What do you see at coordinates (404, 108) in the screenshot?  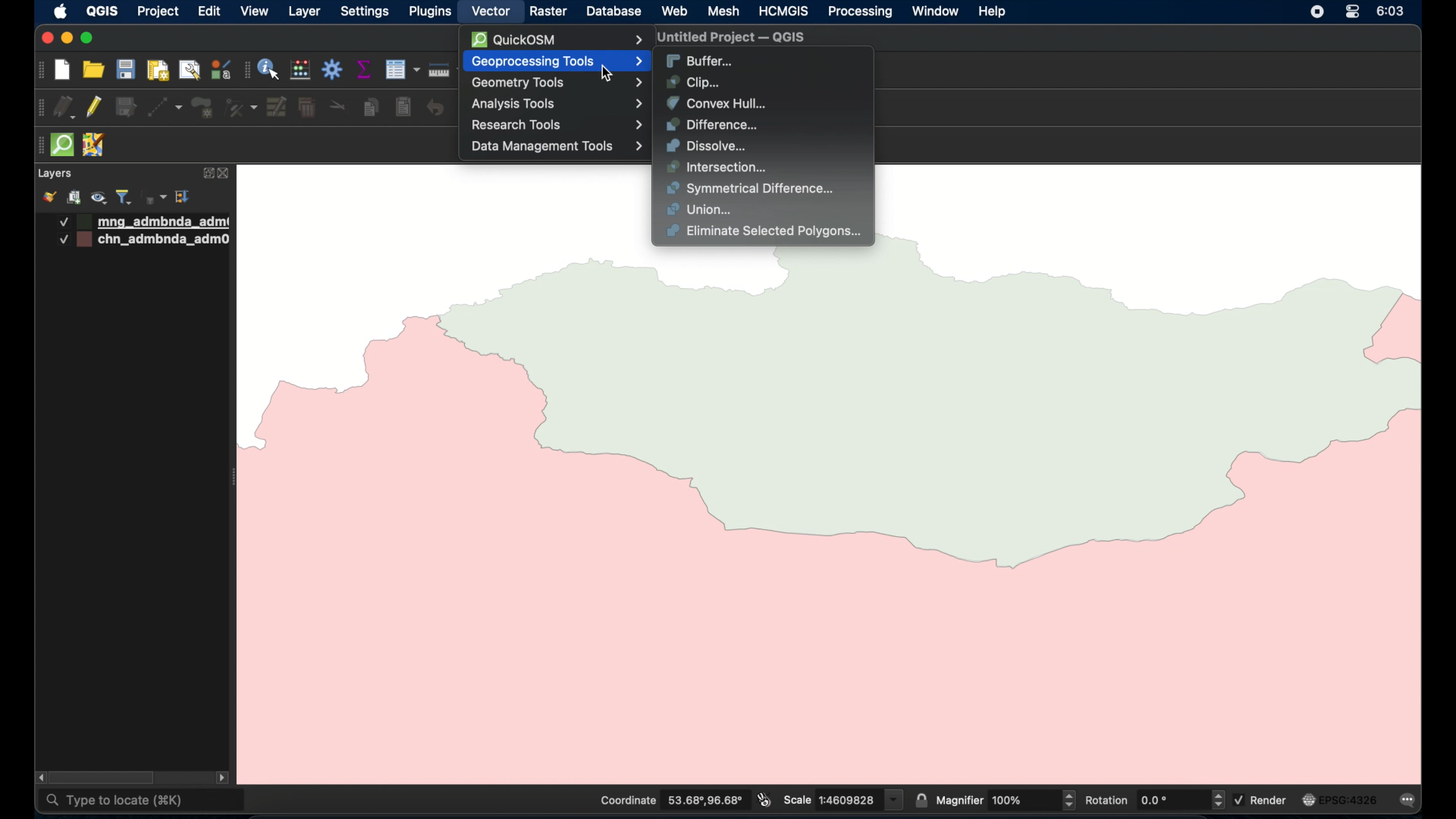 I see `paste features` at bounding box center [404, 108].